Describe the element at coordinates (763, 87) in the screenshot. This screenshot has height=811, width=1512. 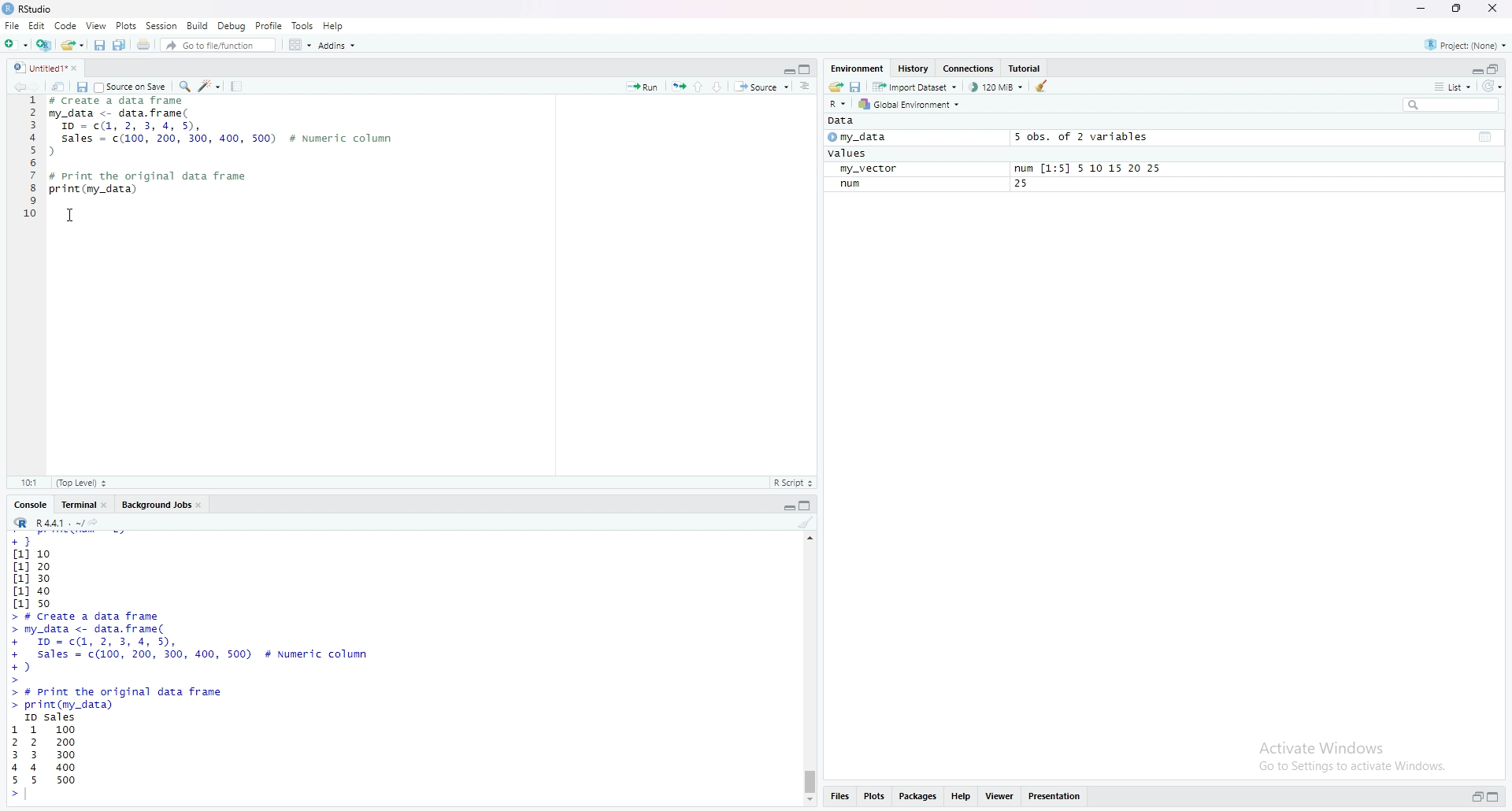
I see `source the contents of the active document` at that location.